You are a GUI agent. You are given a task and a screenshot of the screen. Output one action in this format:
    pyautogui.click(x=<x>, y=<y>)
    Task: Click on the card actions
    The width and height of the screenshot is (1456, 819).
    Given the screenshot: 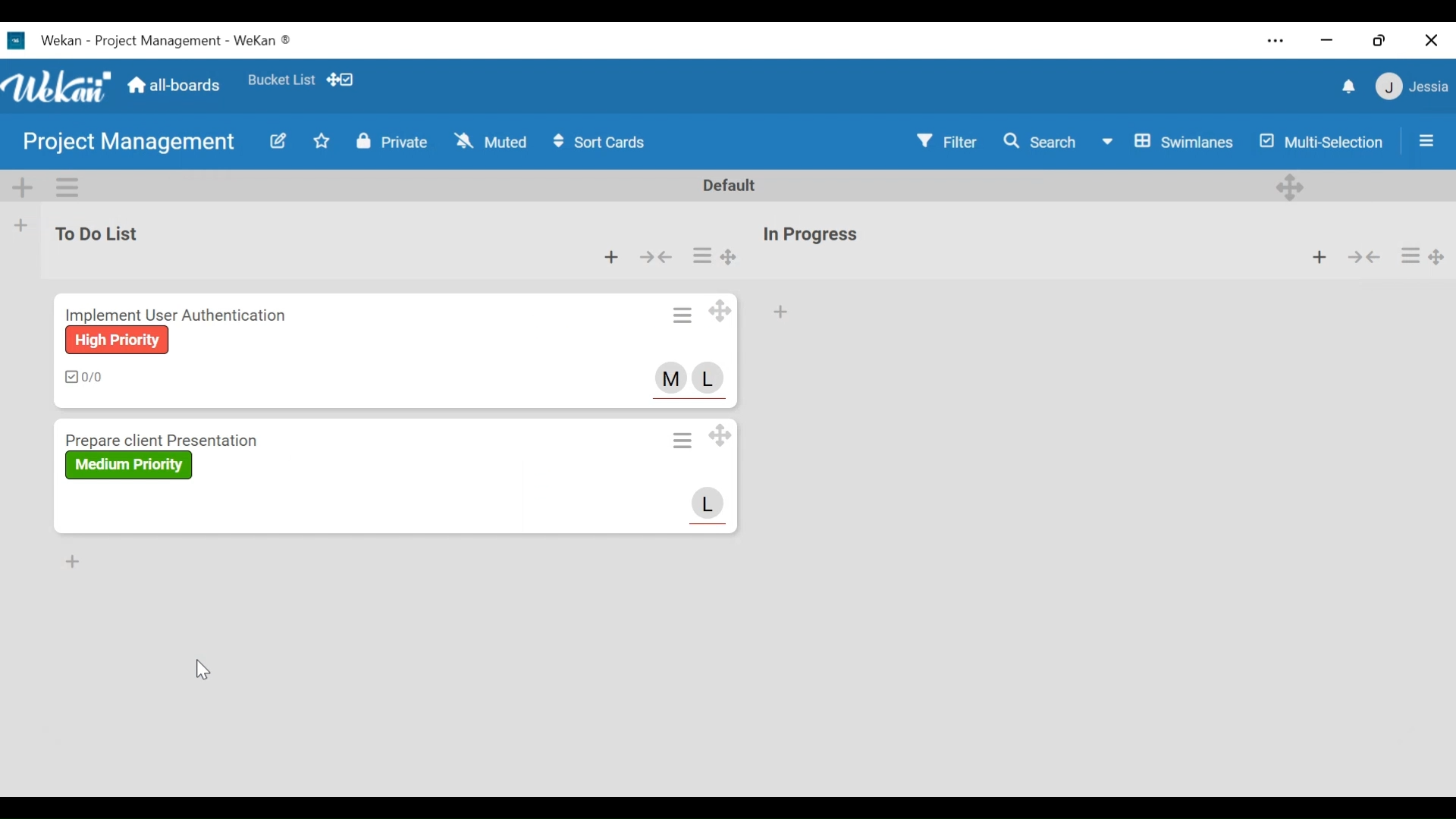 What is the action you would take?
    pyautogui.click(x=1410, y=256)
    